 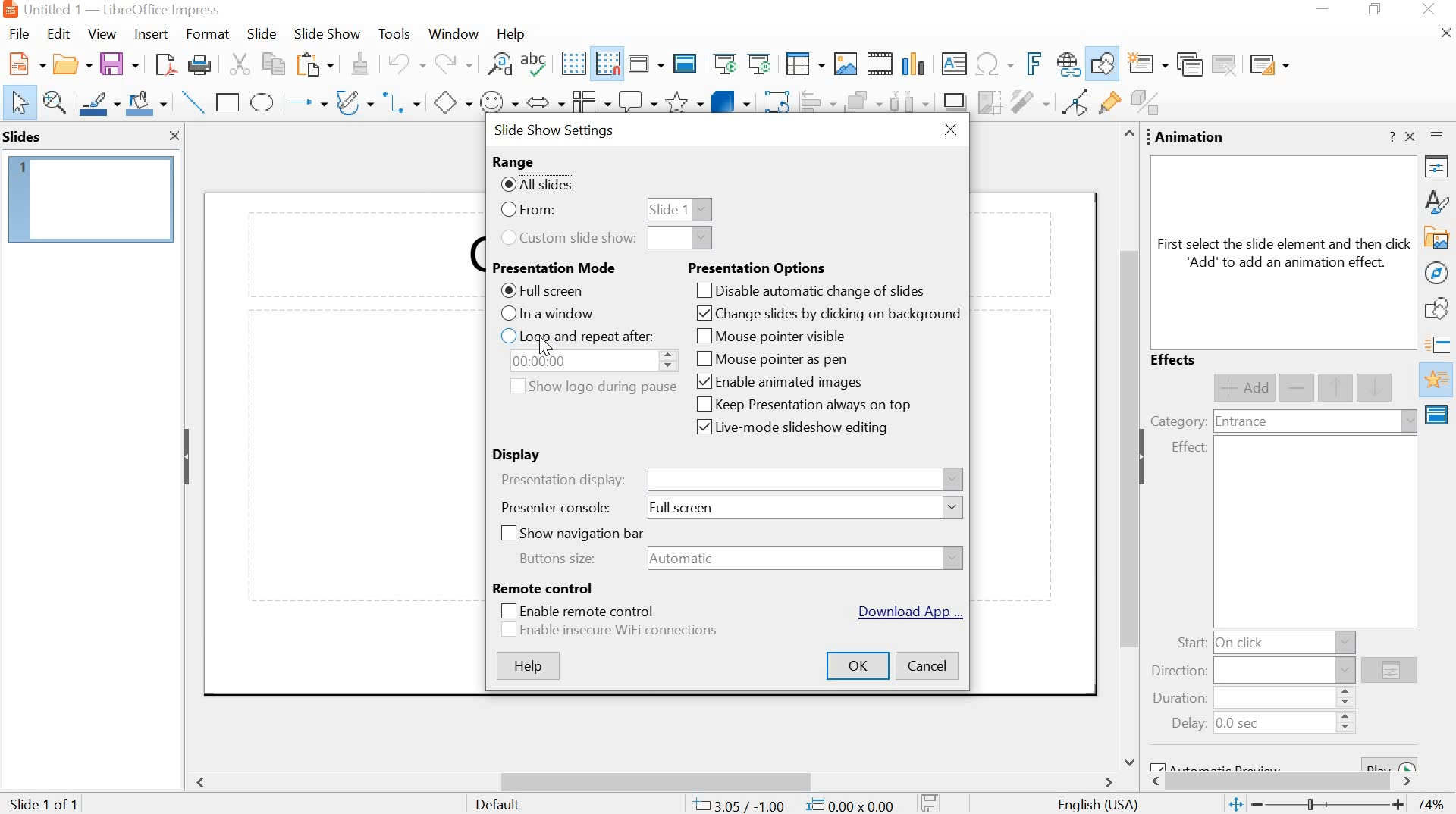 I want to click on slide 1, so click(x=676, y=209).